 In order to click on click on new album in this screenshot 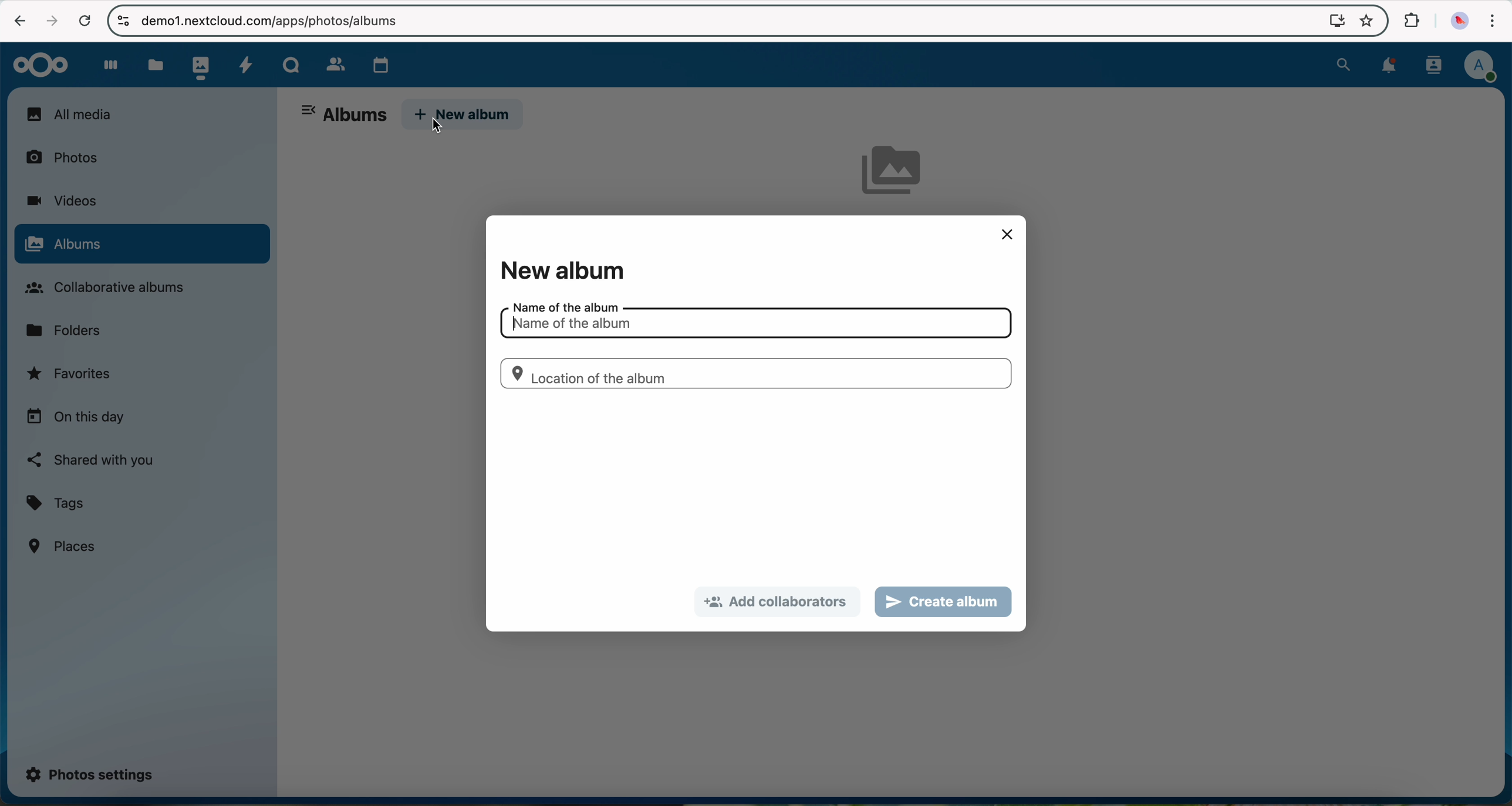, I will do `click(464, 116)`.